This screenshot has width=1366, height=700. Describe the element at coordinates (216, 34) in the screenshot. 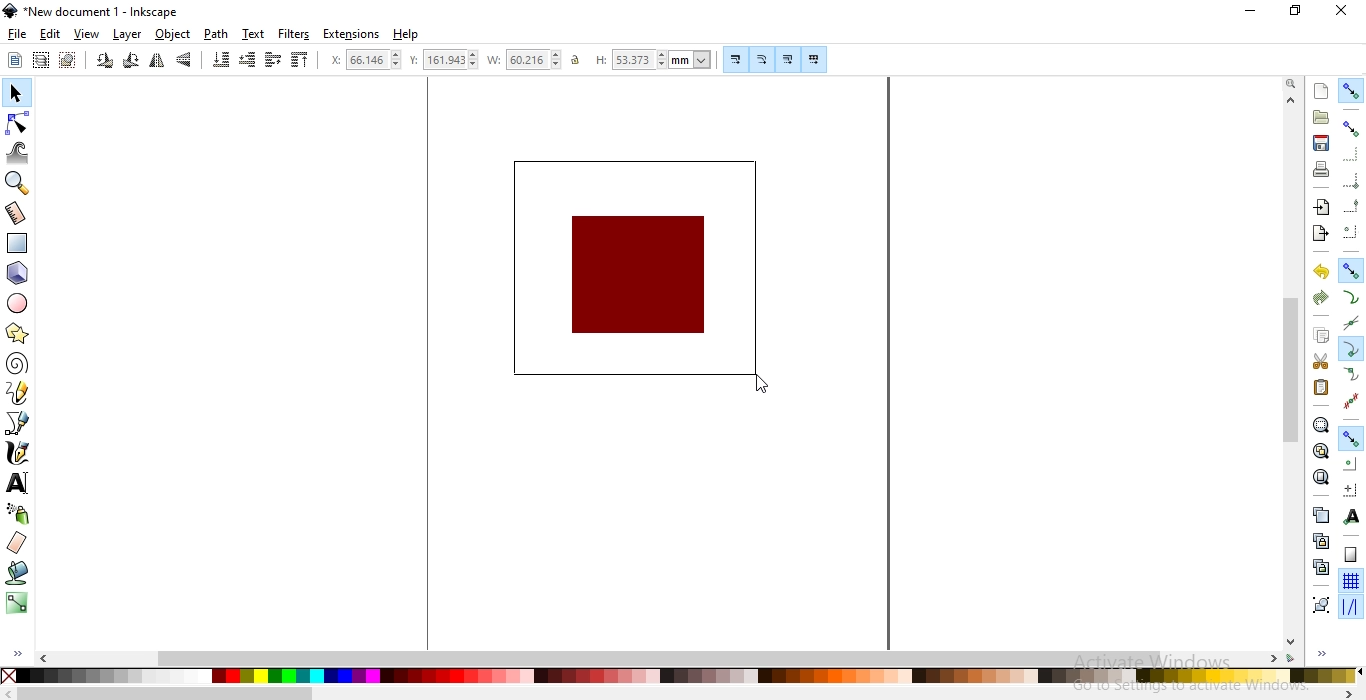

I see `path` at that location.